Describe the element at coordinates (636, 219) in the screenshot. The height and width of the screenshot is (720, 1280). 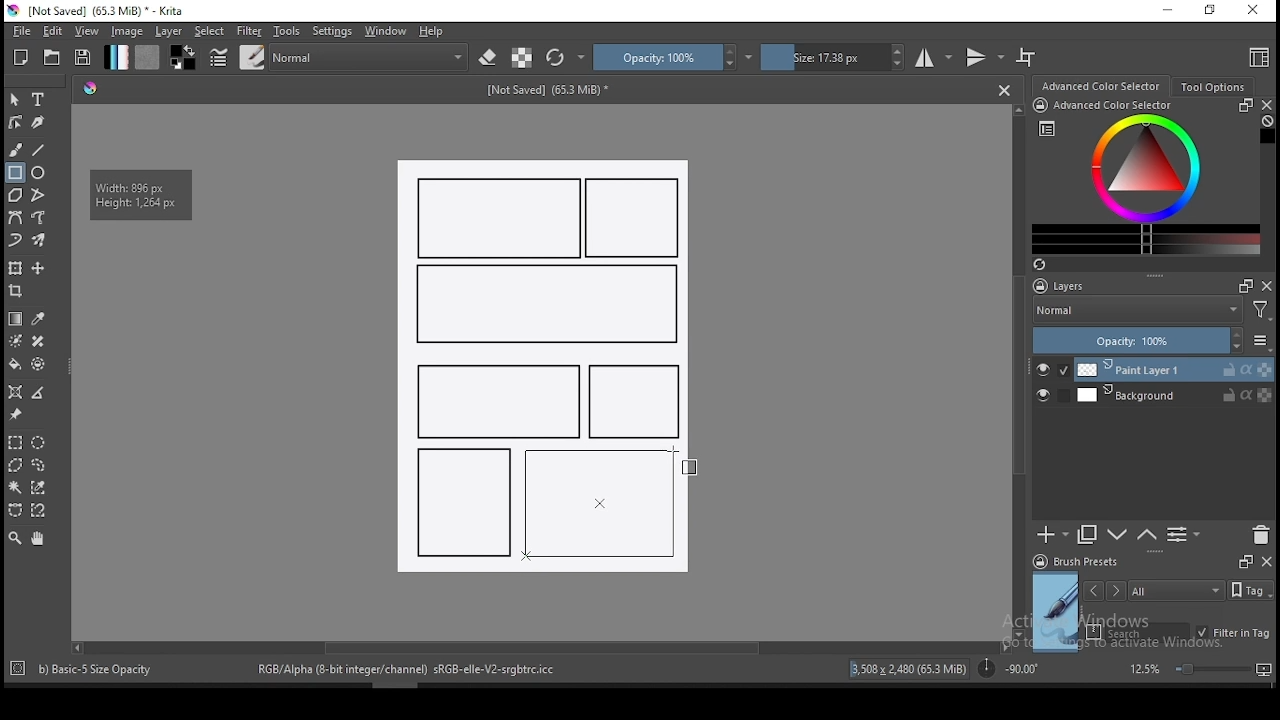
I see `new rectangle` at that location.